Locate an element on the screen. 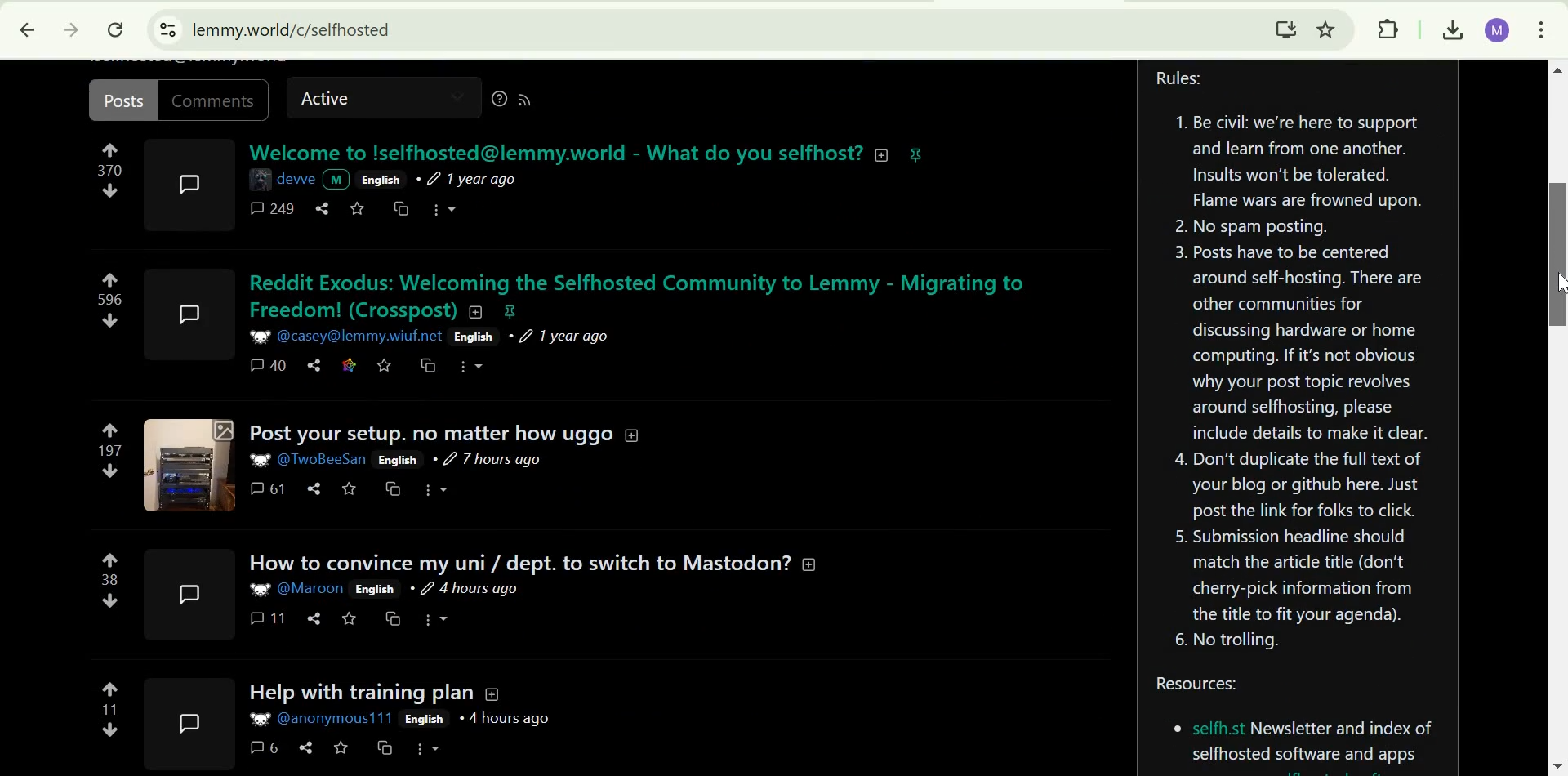  Reload this page. is located at coordinates (118, 29).